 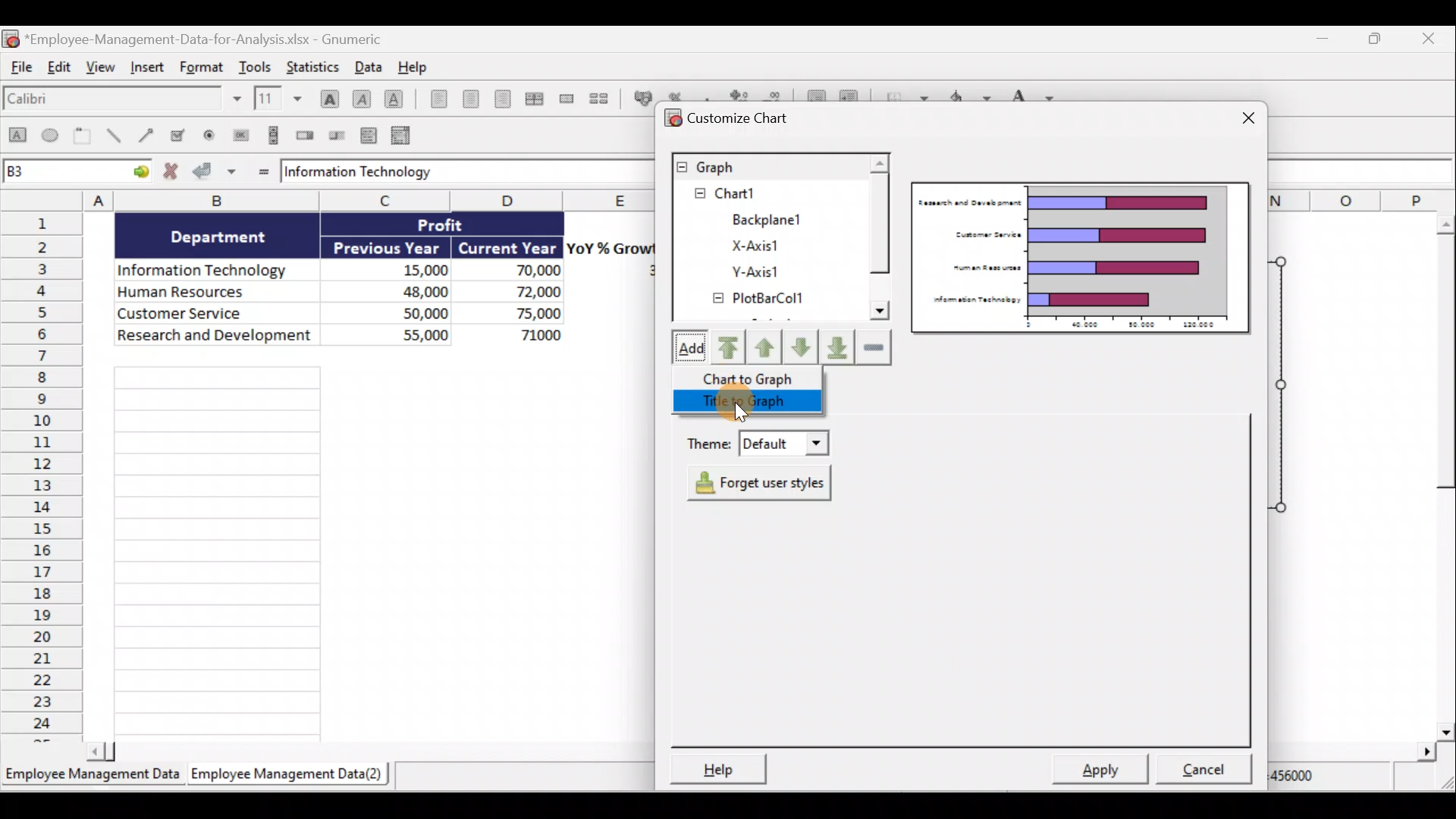 What do you see at coordinates (453, 227) in the screenshot?
I see `Profit` at bounding box center [453, 227].